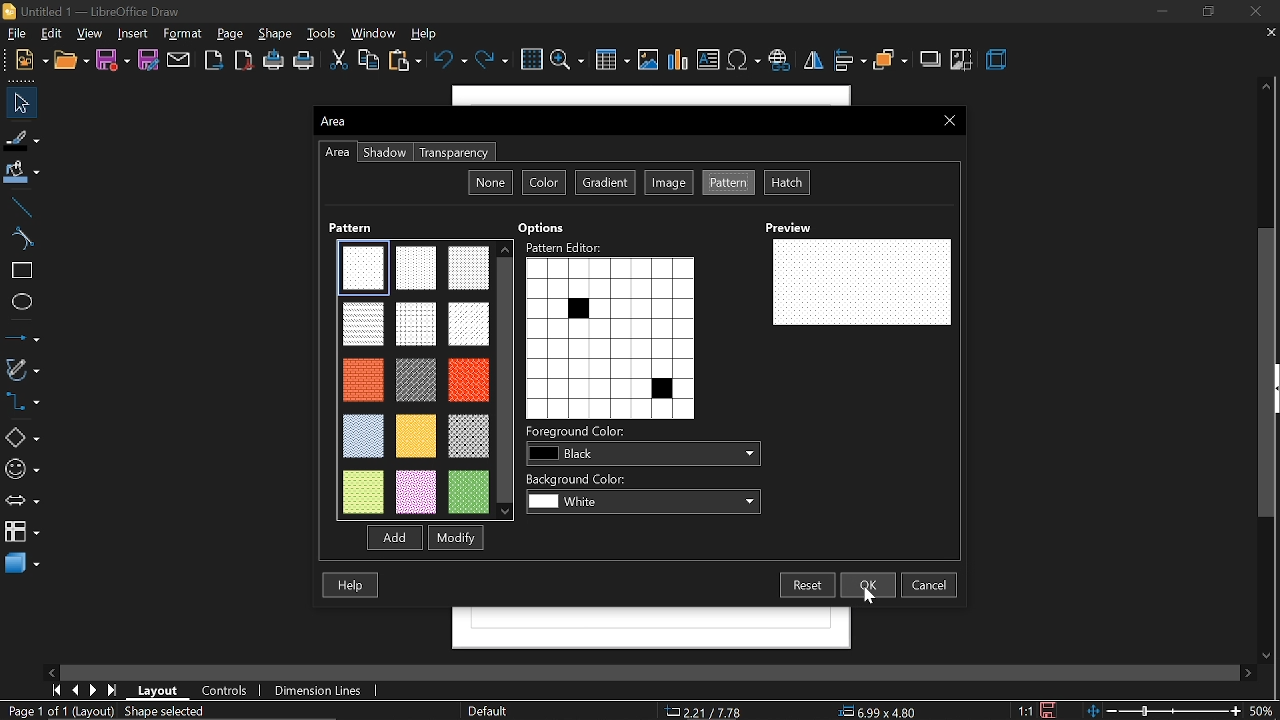 The width and height of the screenshot is (1280, 720). Describe the element at coordinates (668, 184) in the screenshot. I see `image` at that location.